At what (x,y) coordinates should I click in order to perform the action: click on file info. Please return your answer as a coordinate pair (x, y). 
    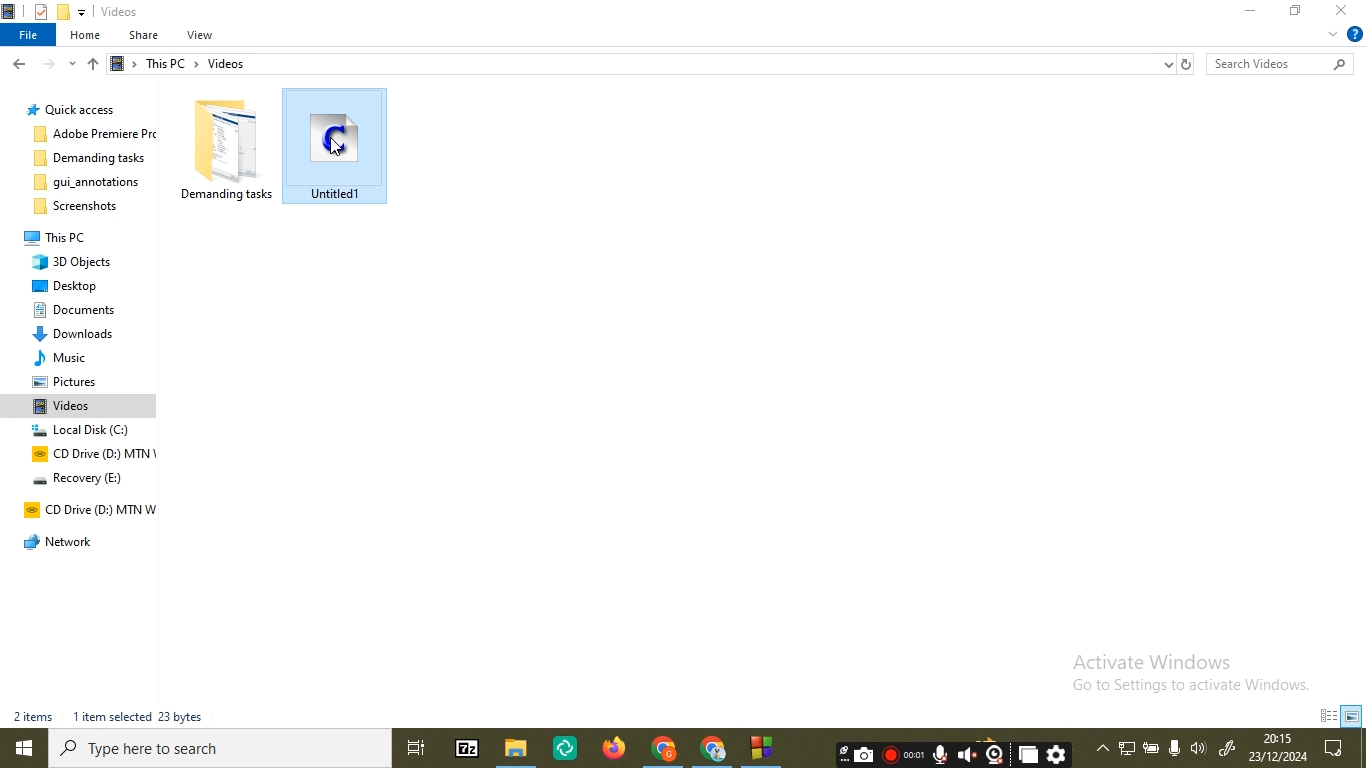
    Looking at the image, I should click on (105, 717).